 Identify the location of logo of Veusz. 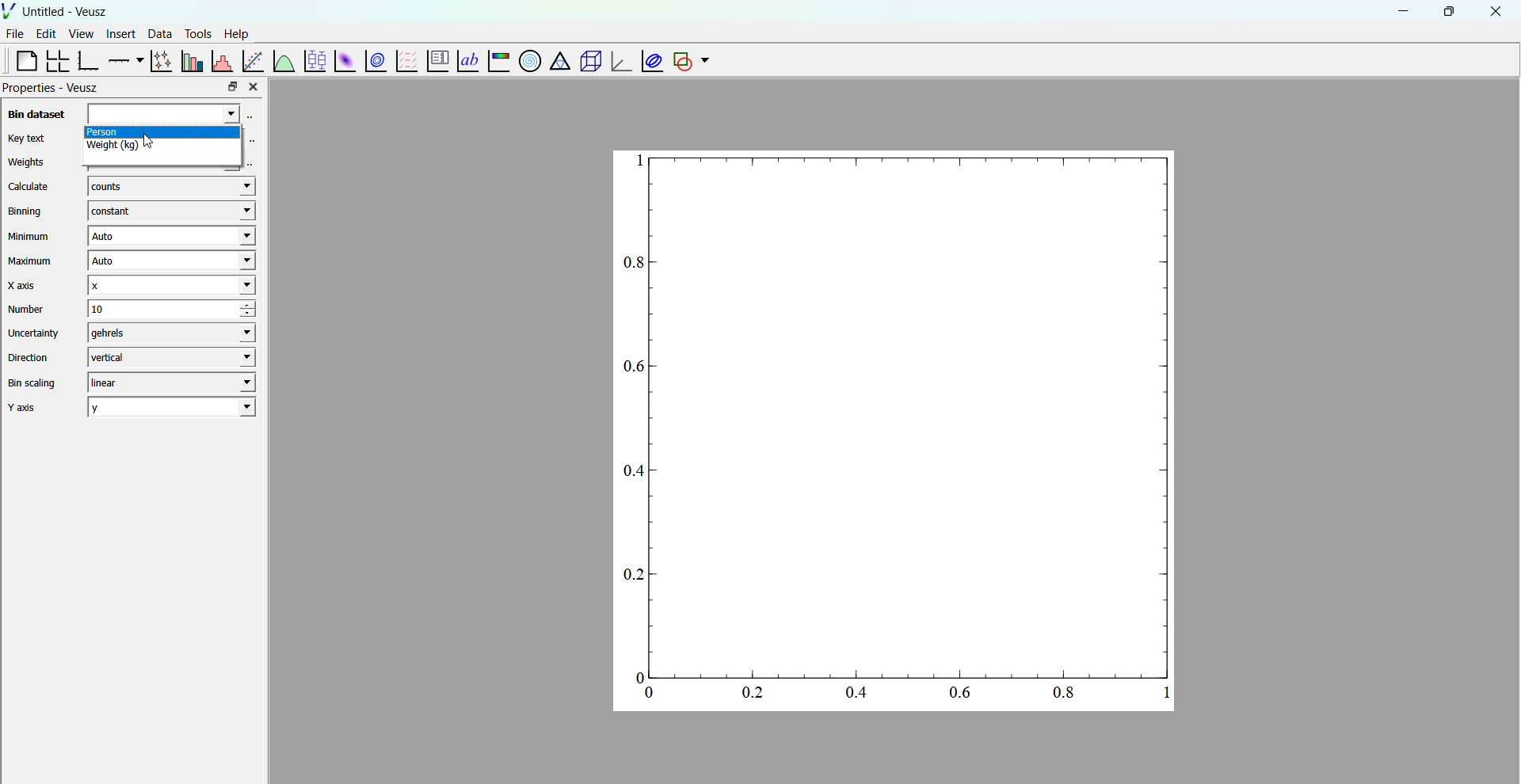
(10, 10).